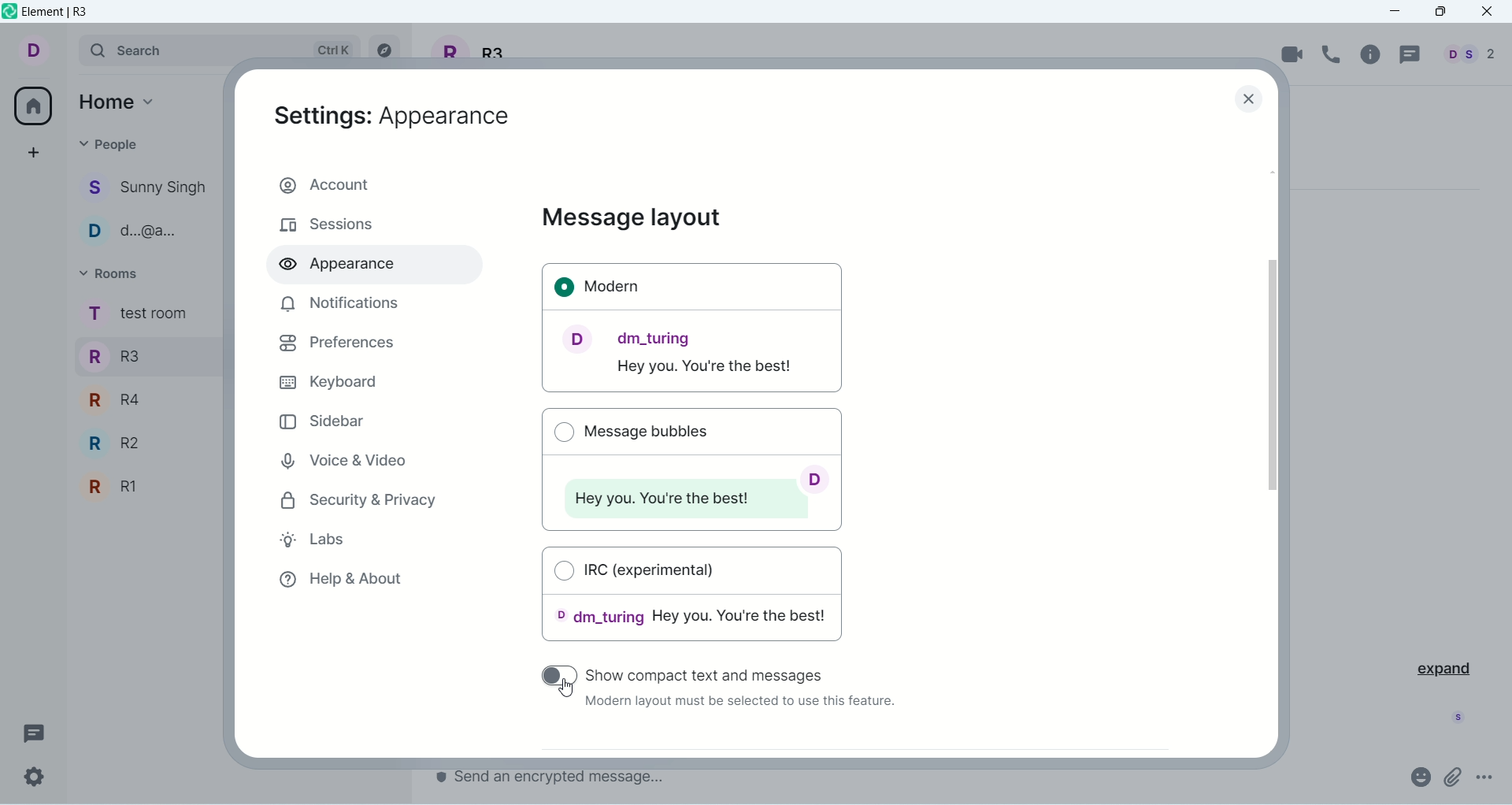 This screenshot has width=1512, height=805. What do you see at coordinates (44, 51) in the screenshot?
I see `account` at bounding box center [44, 51].